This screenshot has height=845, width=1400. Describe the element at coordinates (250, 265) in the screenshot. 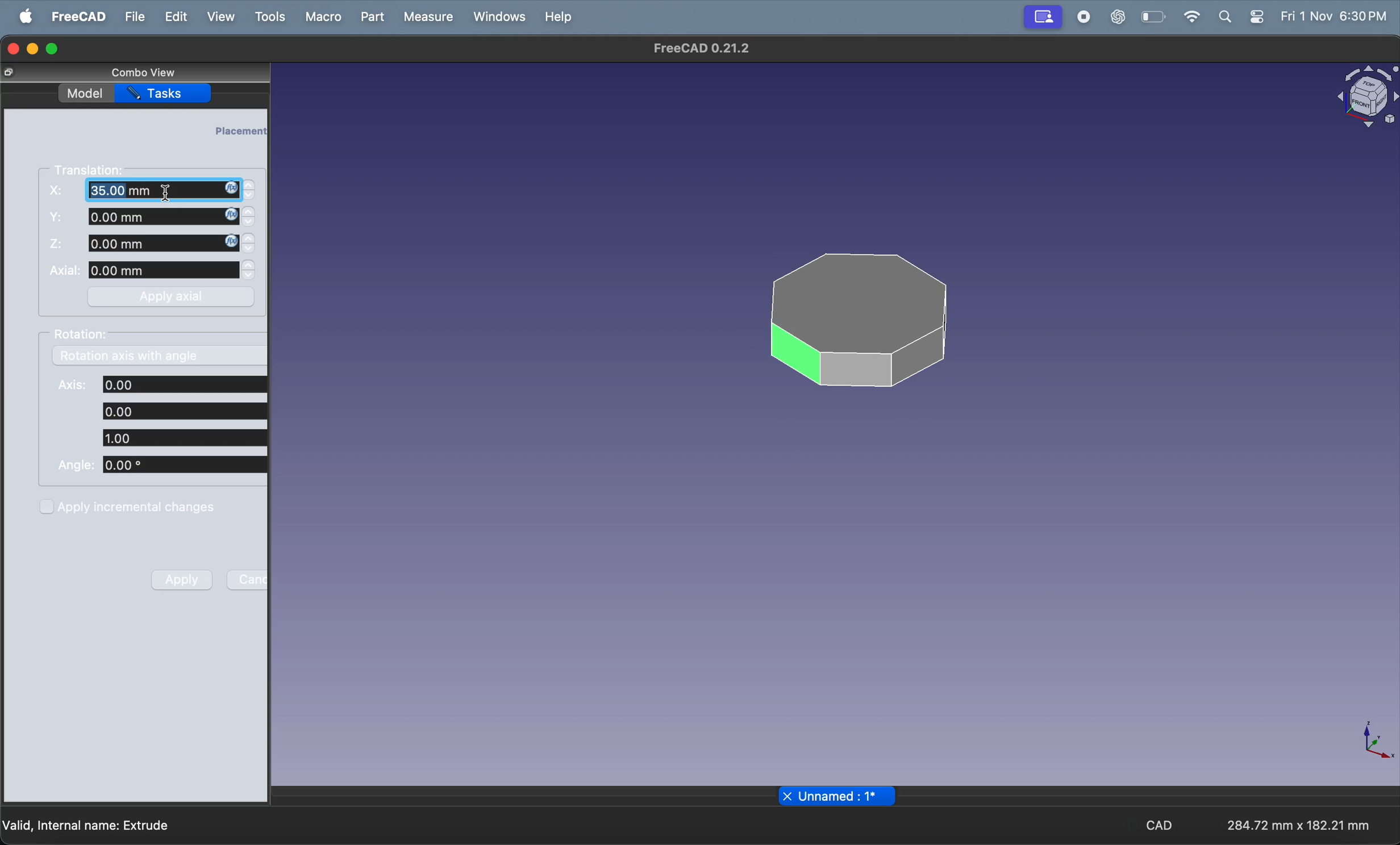

I see `up` at that location.